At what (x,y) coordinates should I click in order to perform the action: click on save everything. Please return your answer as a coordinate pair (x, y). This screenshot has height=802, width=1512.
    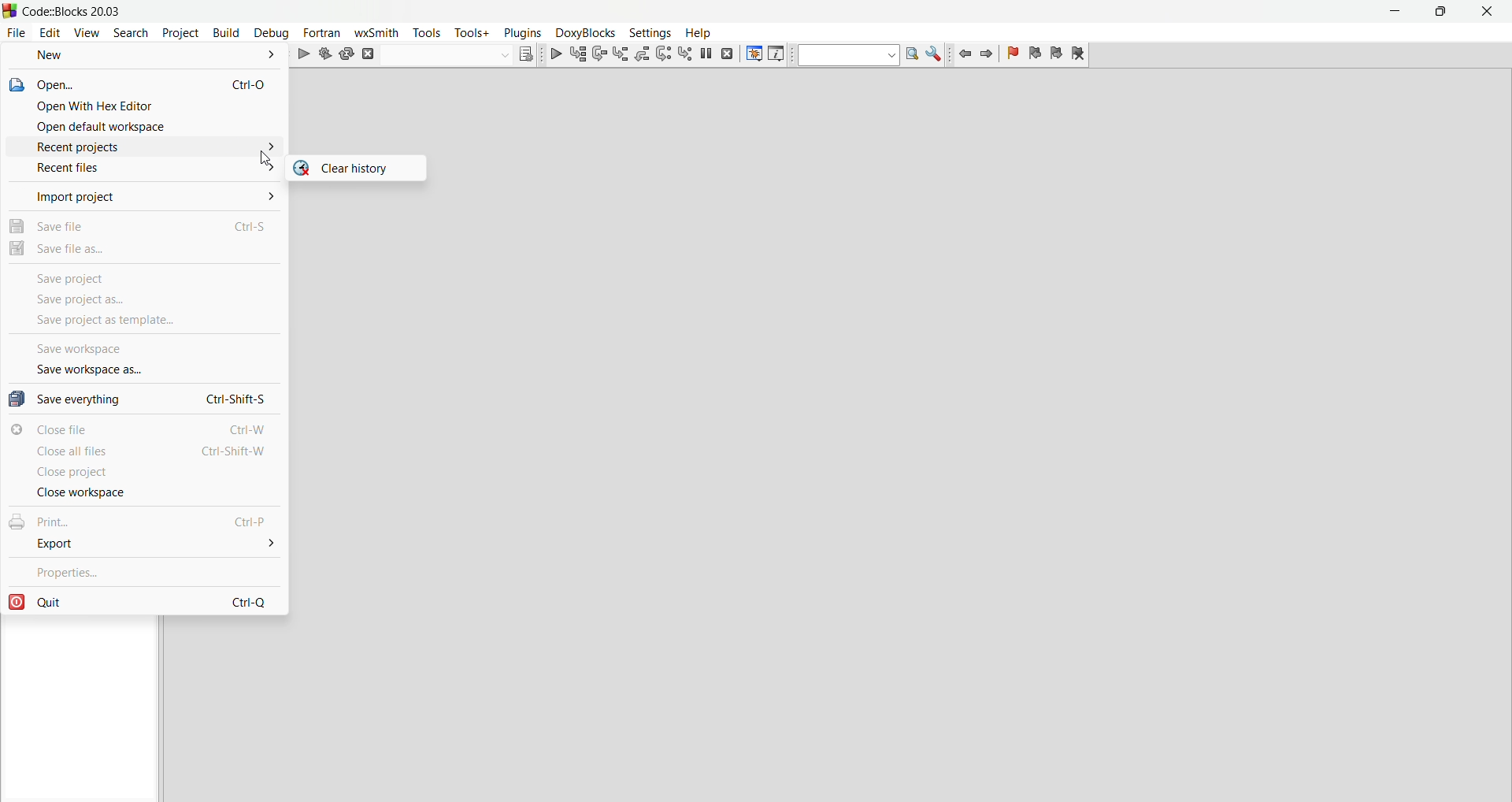
    Looking at the image, I should click on (145, 396).